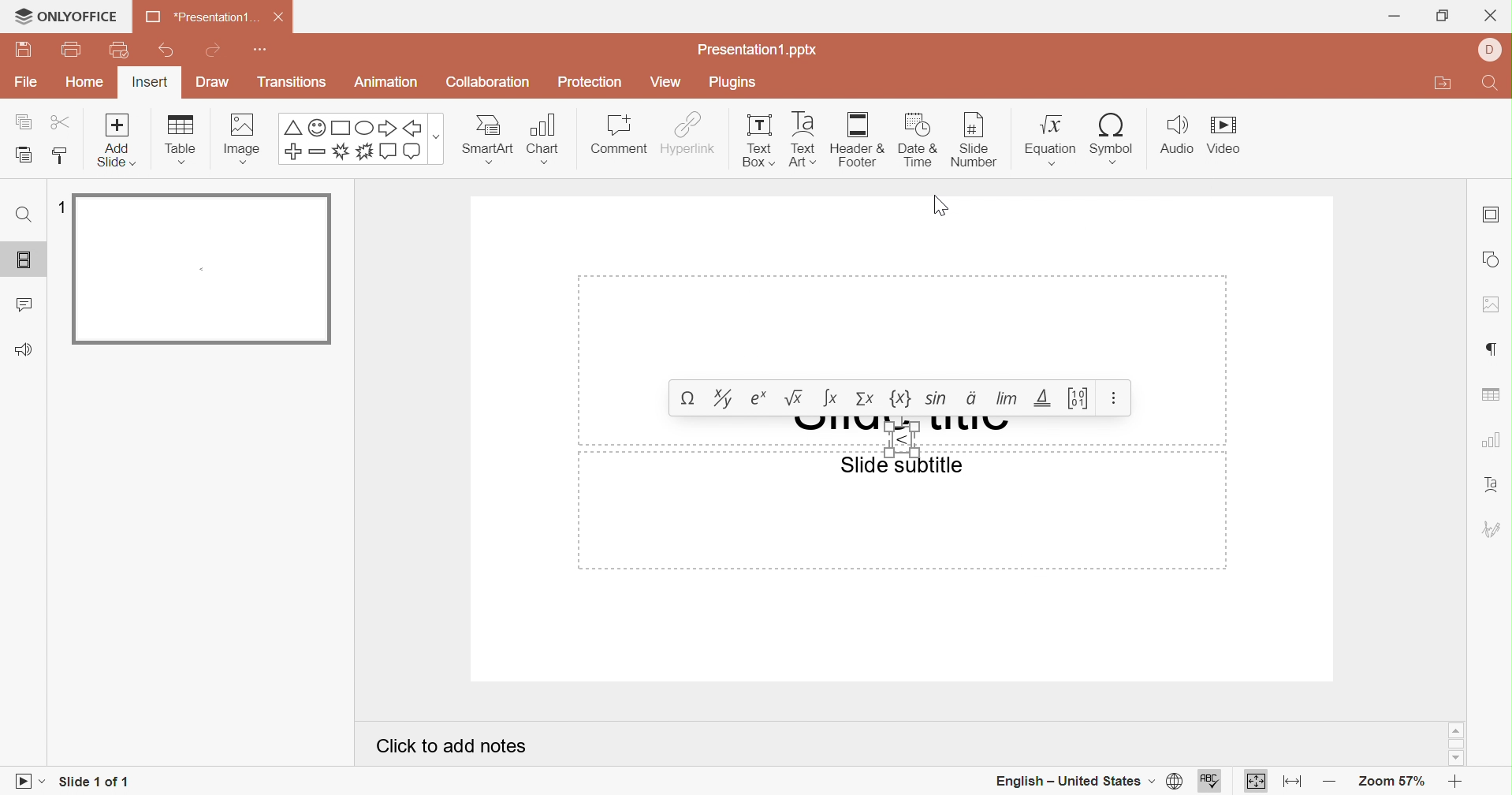 This screenshot has height=795, width=1512. Describe the element at coordinates (61, 157) in the screenshot. I see `Copy style` at that location.